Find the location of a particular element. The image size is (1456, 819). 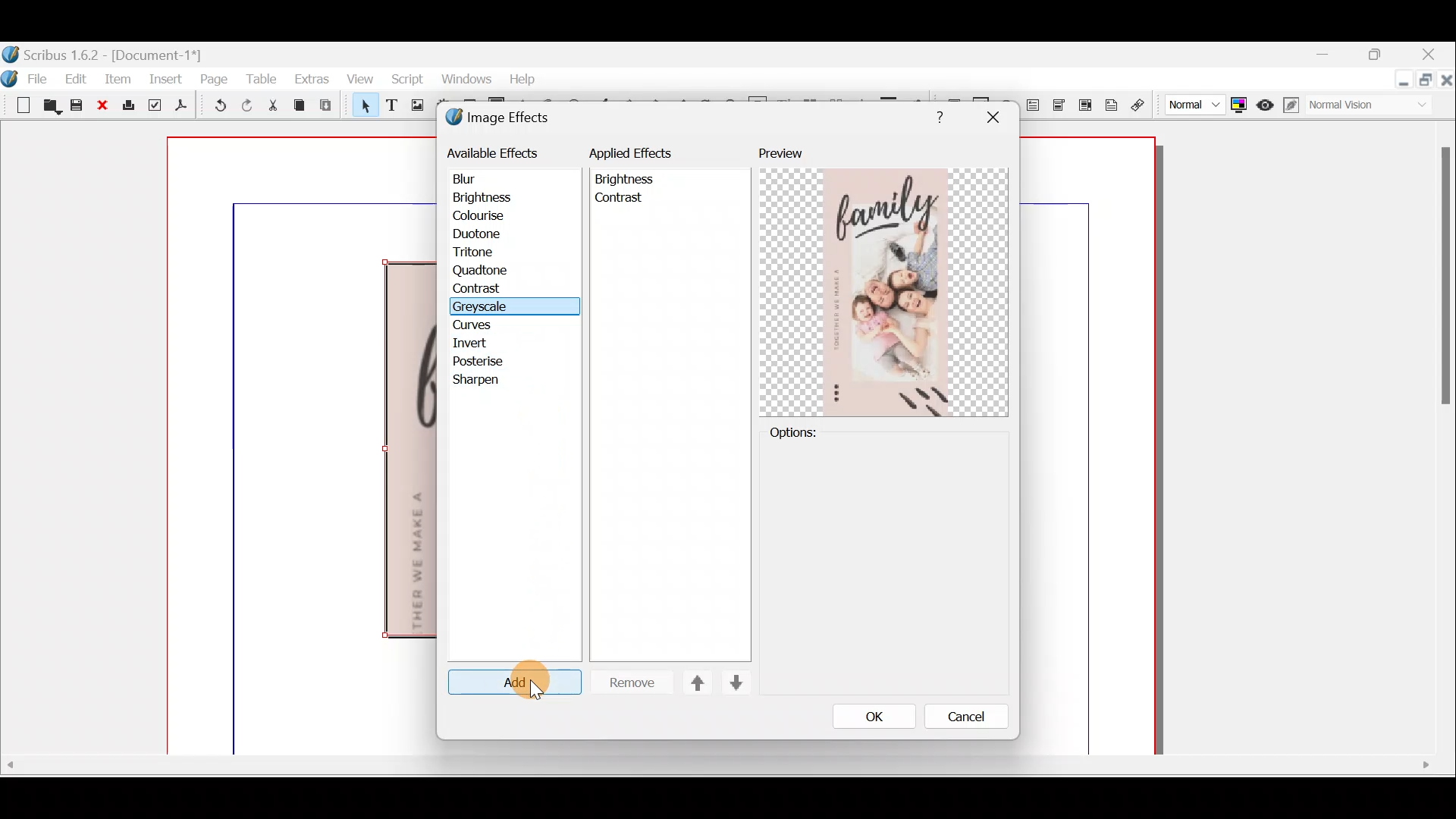

Close is located at coordinates (102, 108).